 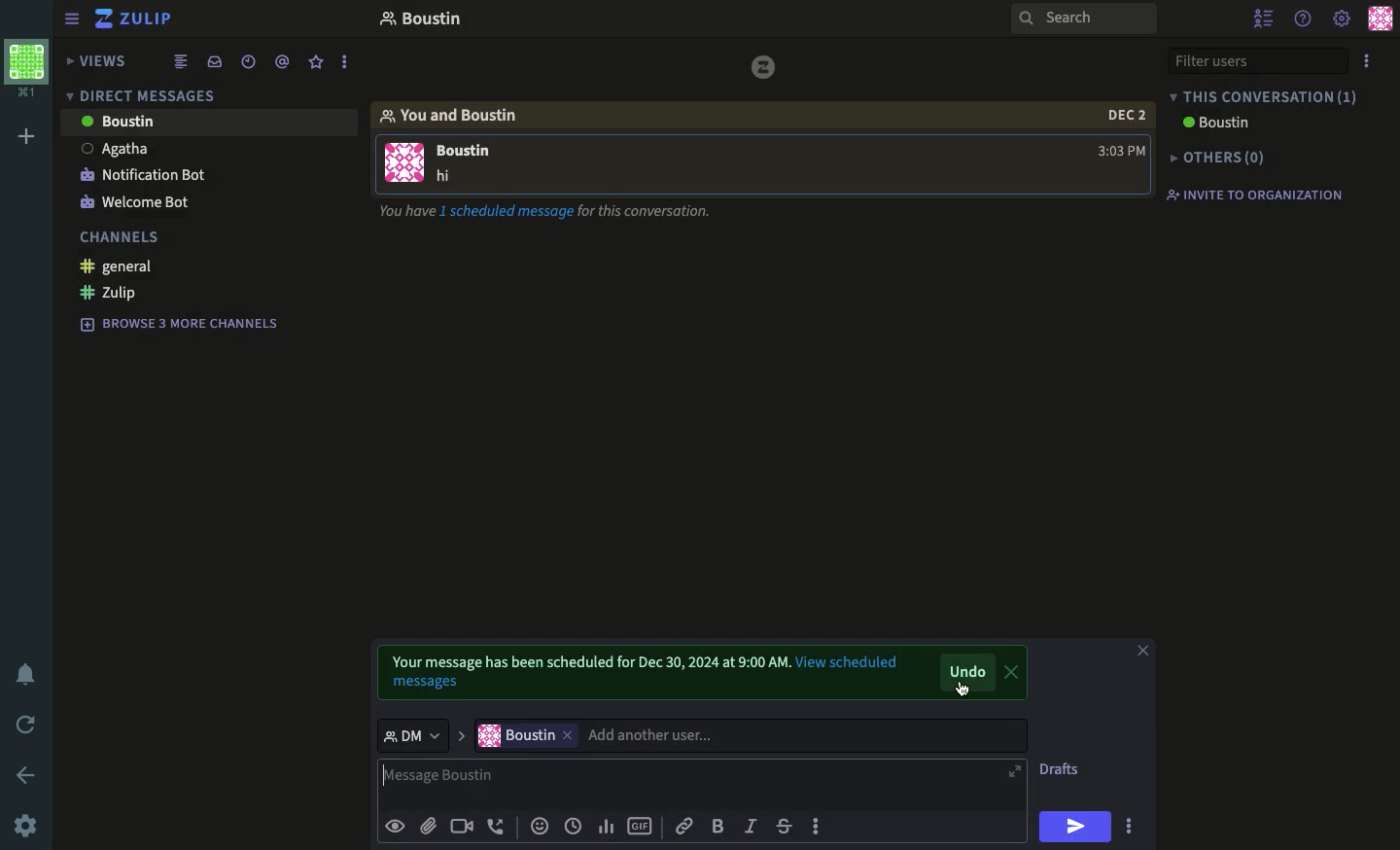 I want to click on favorite, so click(x=316, y=61).